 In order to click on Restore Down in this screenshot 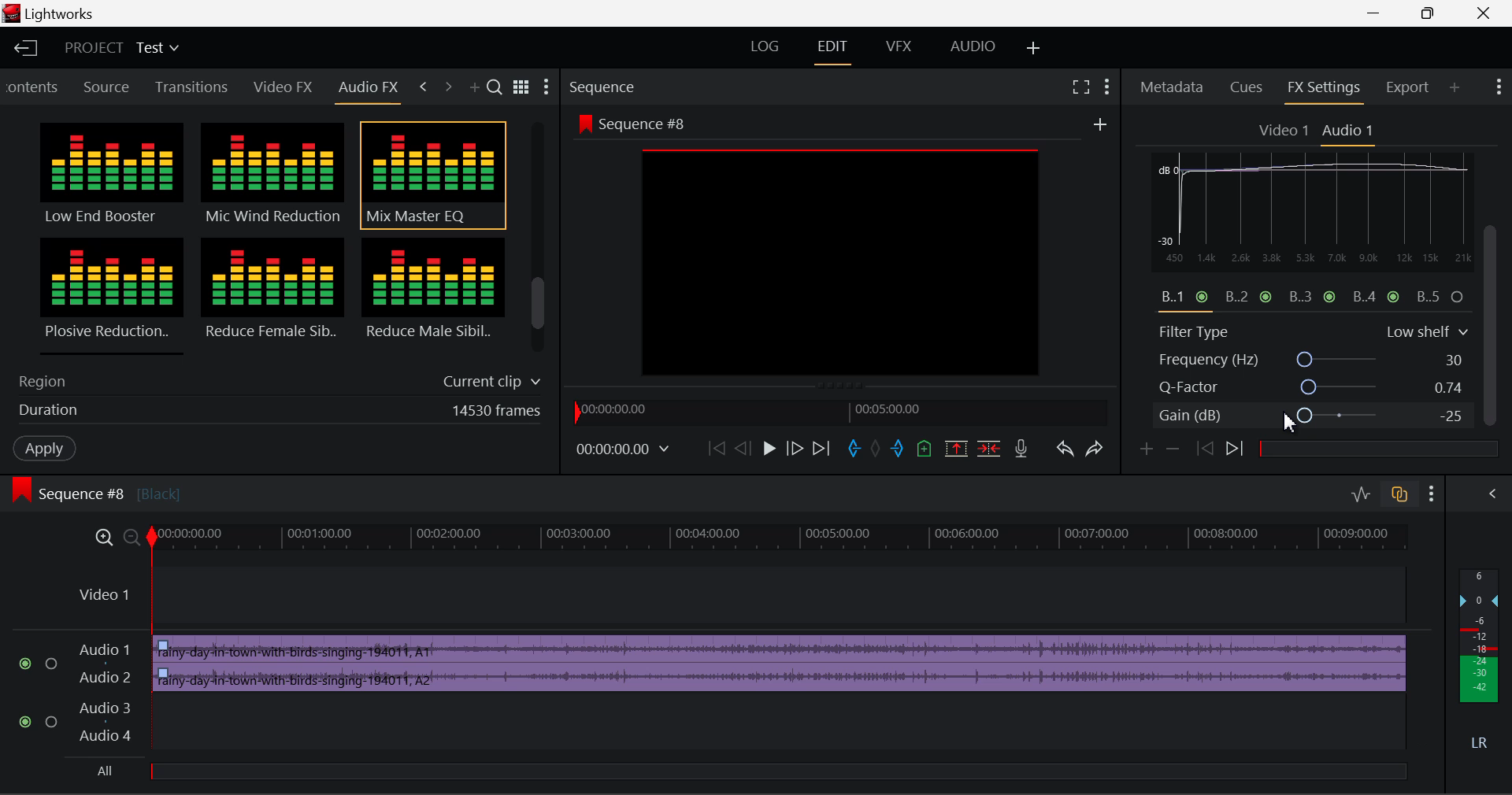, I will do `click(1380, 13)`.